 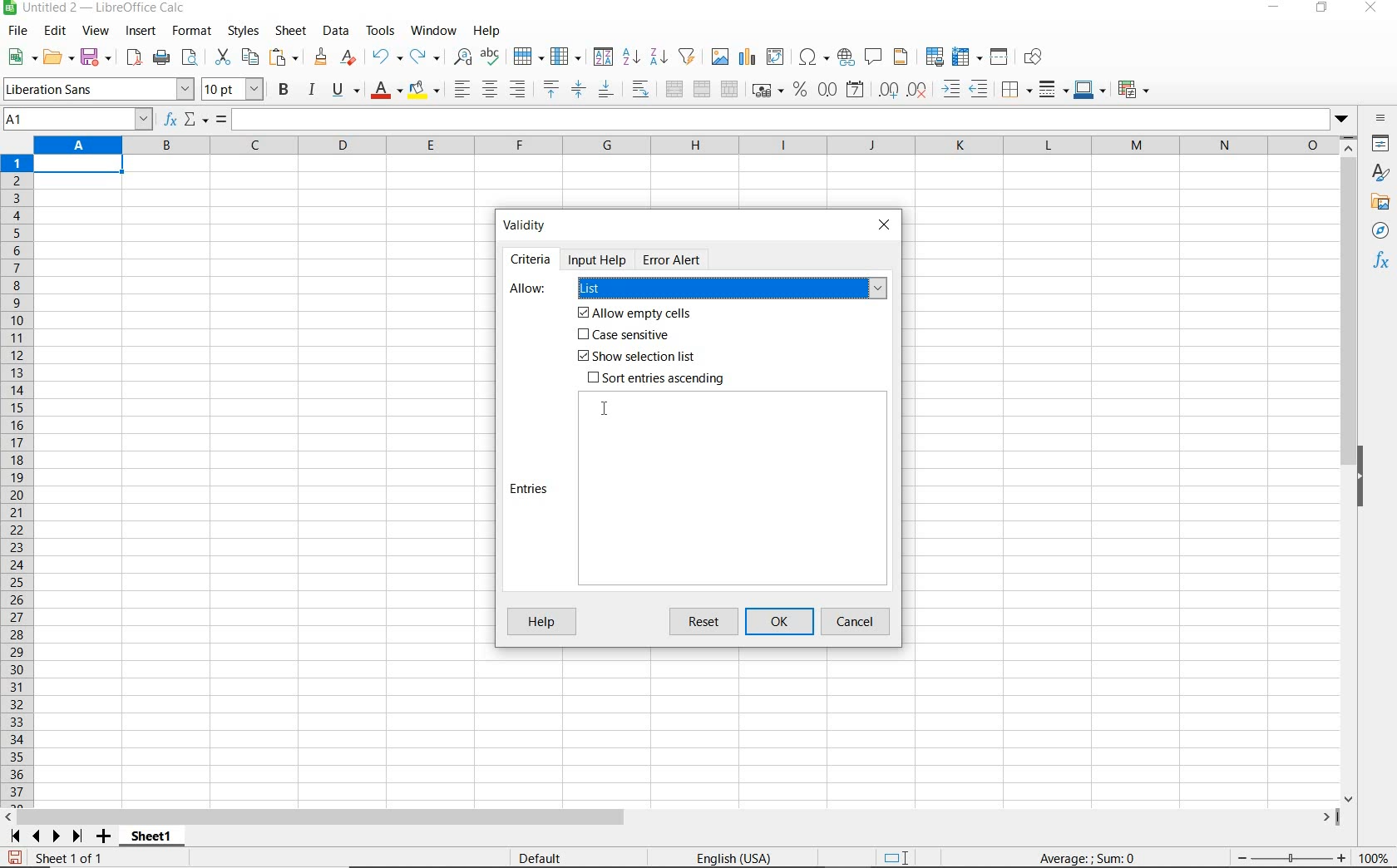 What do you see at coordinates (732, 860) in the screenshot?
I see `text language` at bounding box center [732, 860].